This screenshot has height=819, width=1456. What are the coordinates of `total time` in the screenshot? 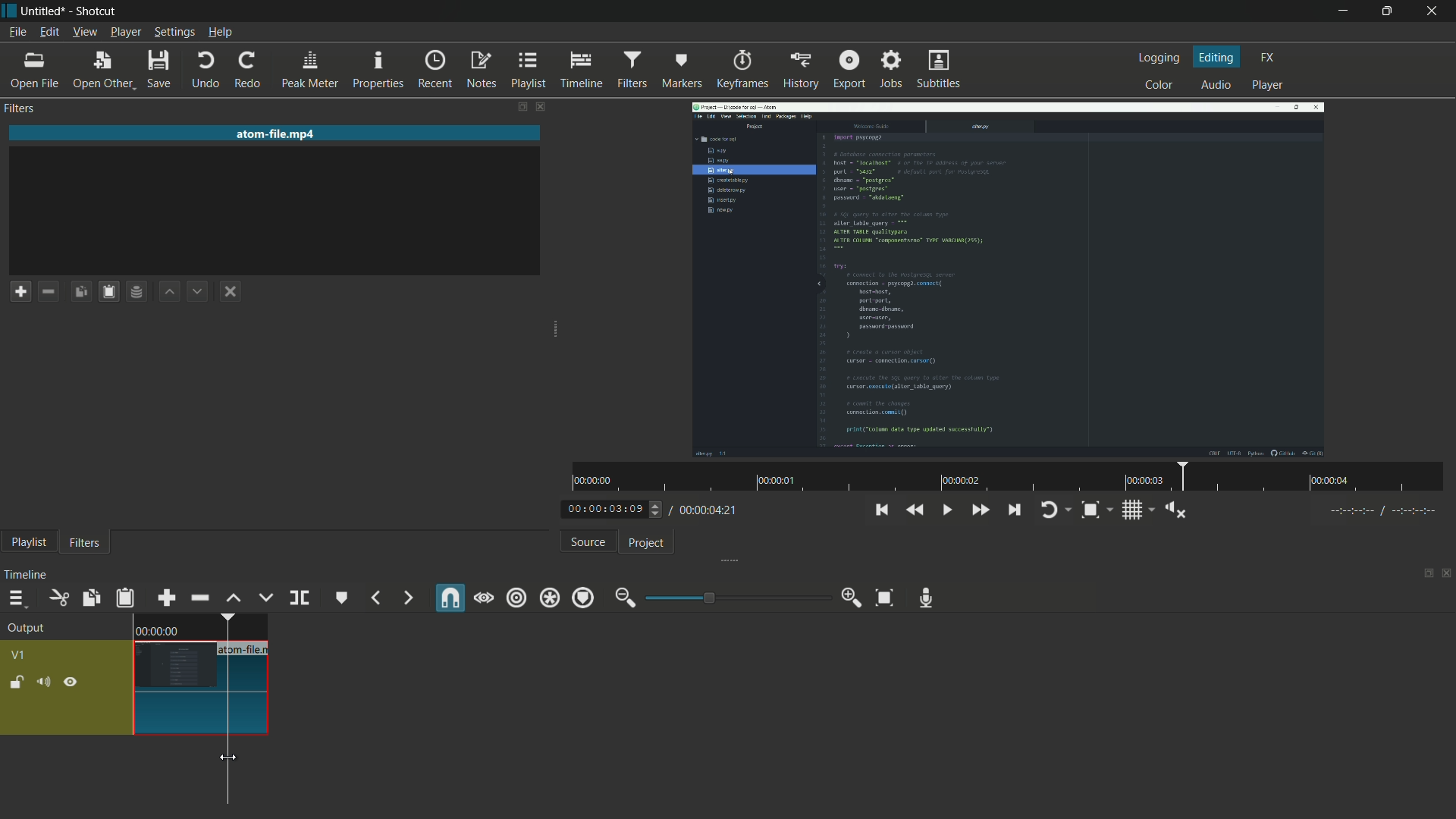 It's located at (711, 510).